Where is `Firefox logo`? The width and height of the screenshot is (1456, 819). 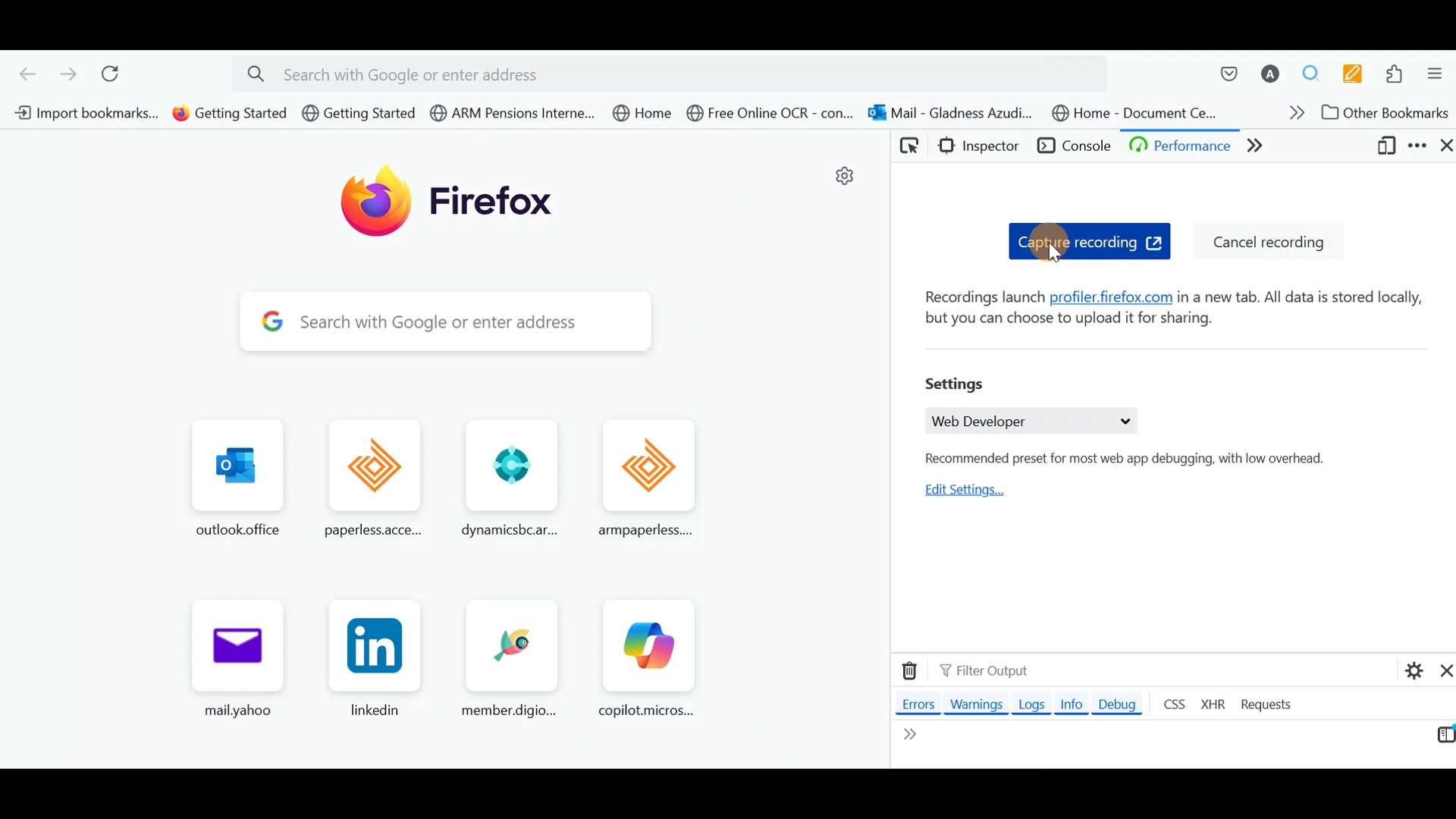 Firefox logo is located at coordinates (459, 207).